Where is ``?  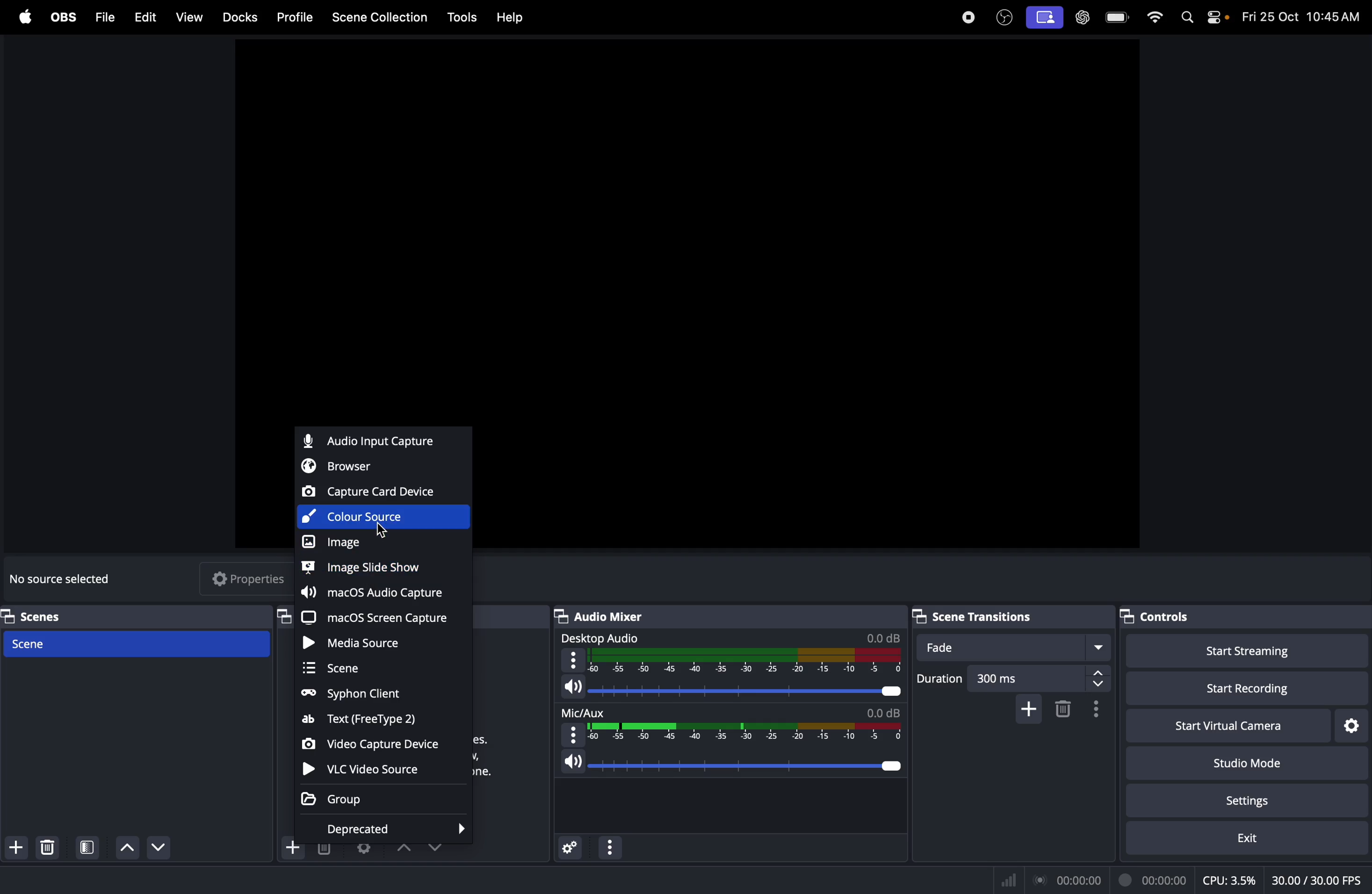  is located at coordinates (737, 730).